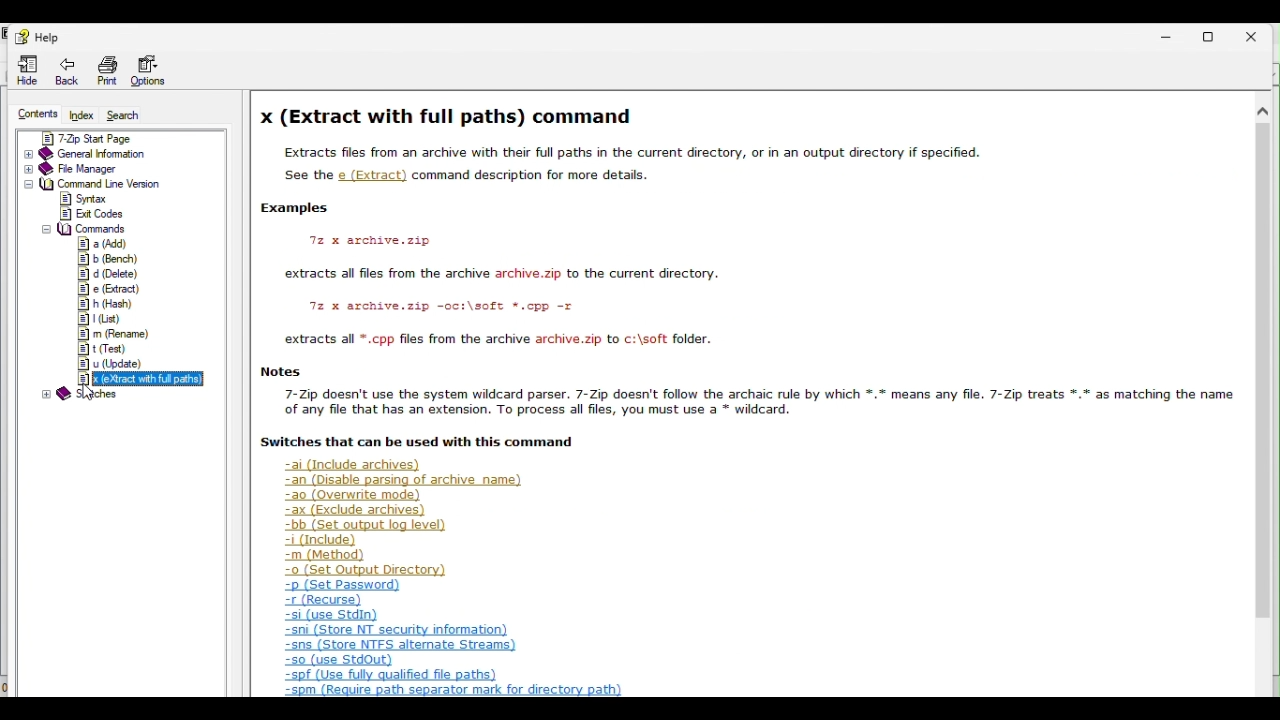  What do you see at coordinates (1156, 34) in the screenshot?
I see `Minimise` at bounding box center [1156, 34].